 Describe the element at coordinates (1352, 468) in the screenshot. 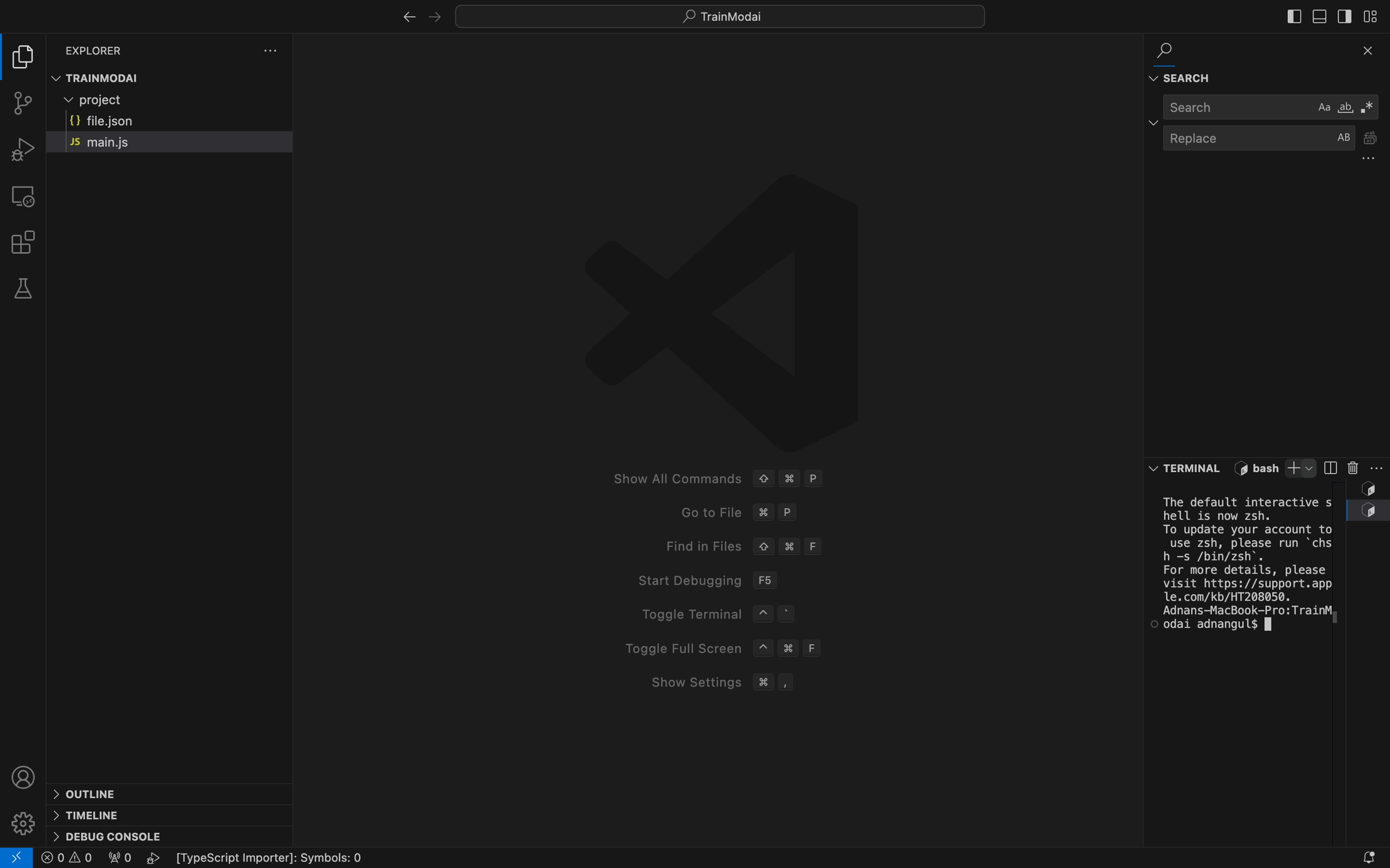

I see `delete` at that location.